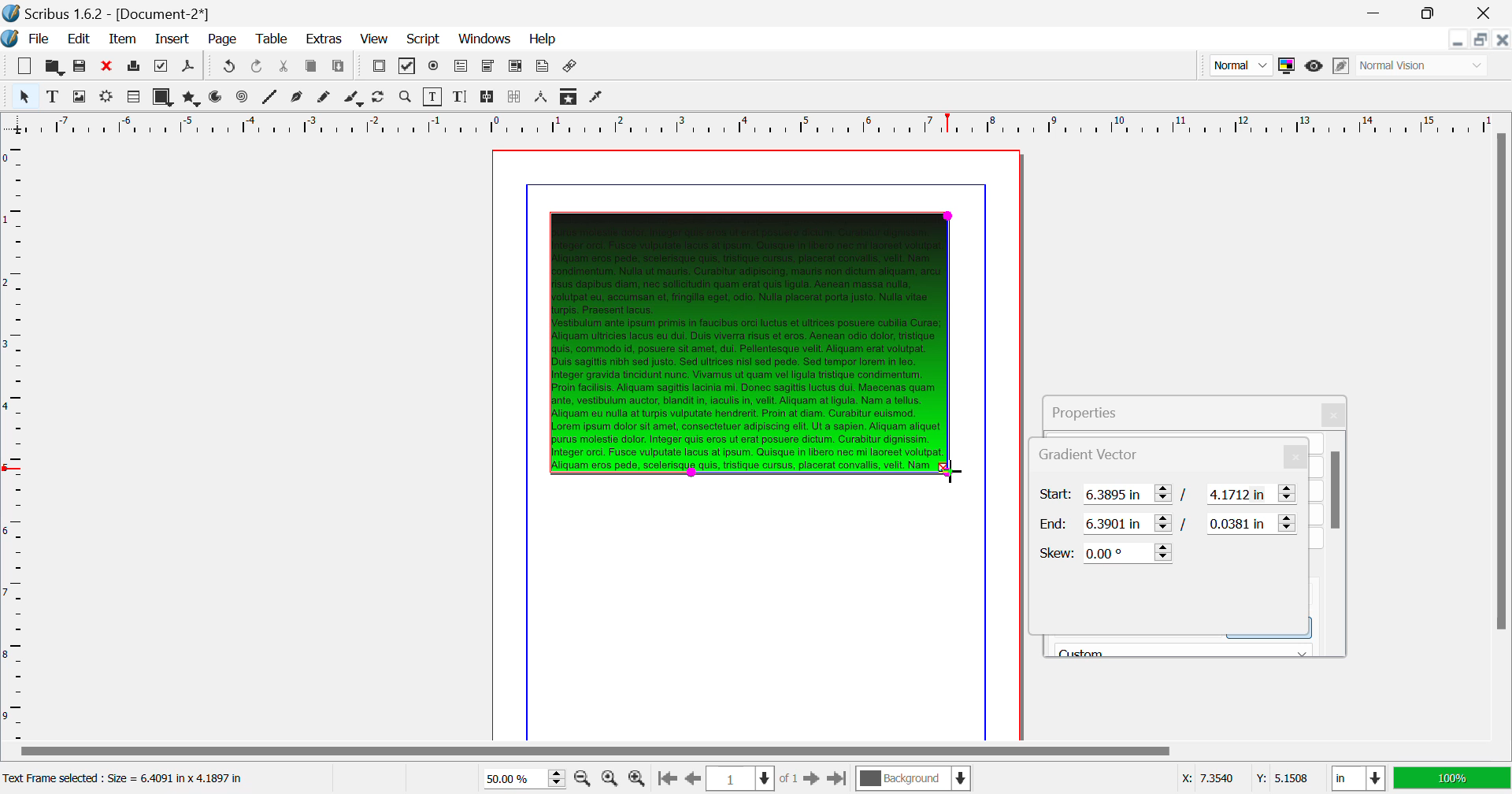  I want to click on New, so click(25, 66).